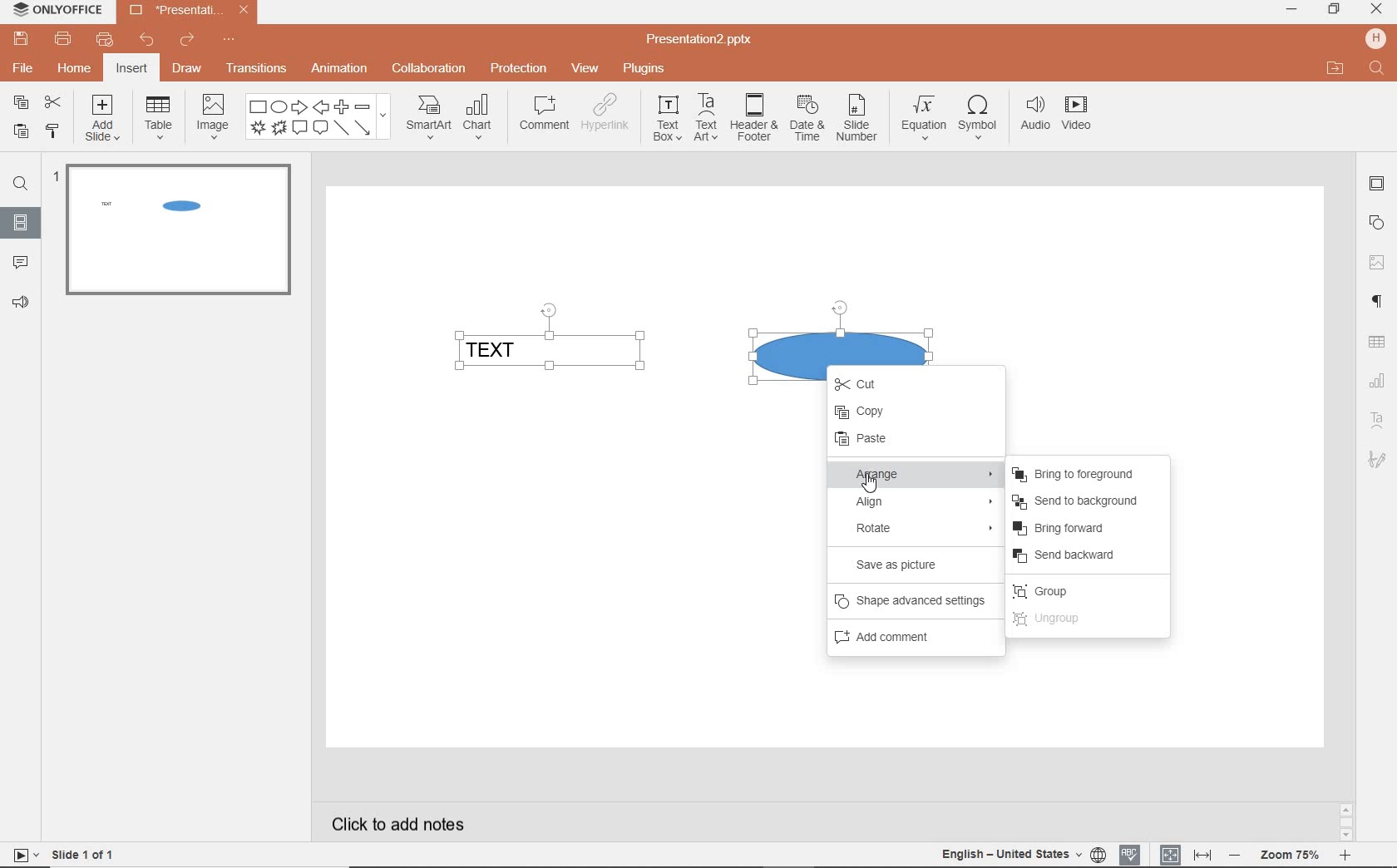 The height and width of the screenshot is (868, 1397). What do you see at coordinates (1086, 620) in the screenshot?
I see `UNGROUP` at bounding box center [1086, 620].